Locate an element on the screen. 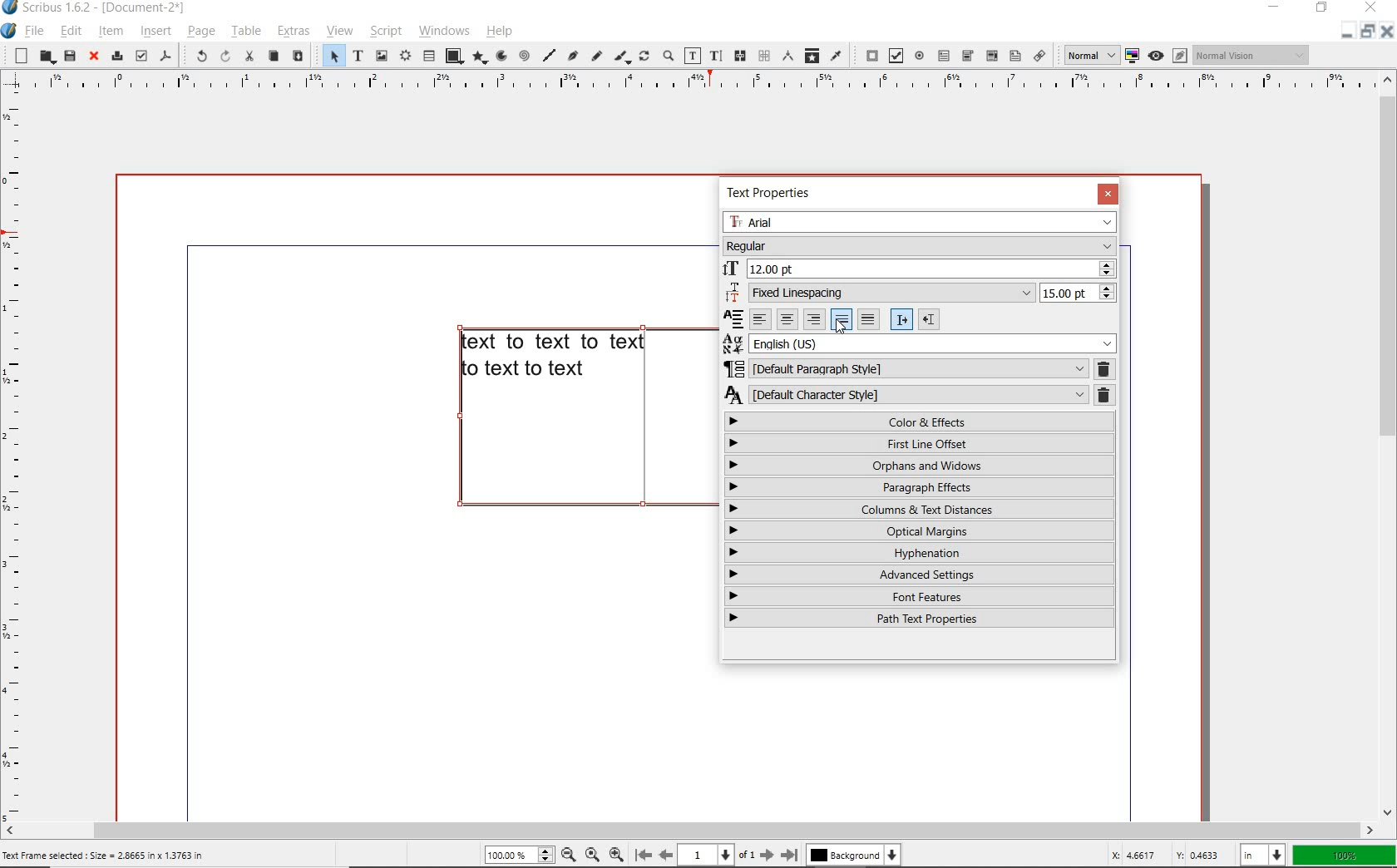  measurements is located at coordinates (786, 57).